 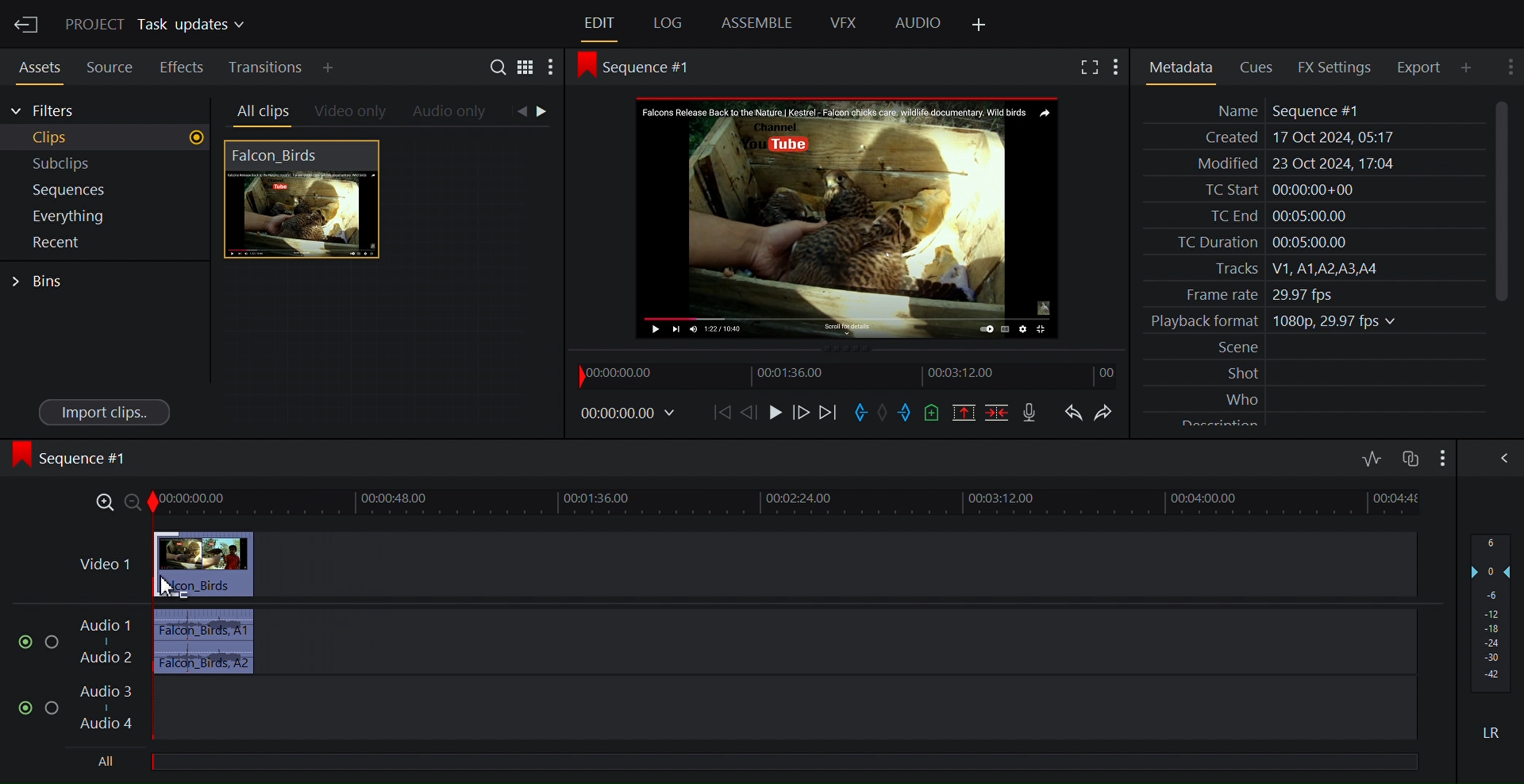 I want to click on Assets Panel, so click(x=35, y=65).